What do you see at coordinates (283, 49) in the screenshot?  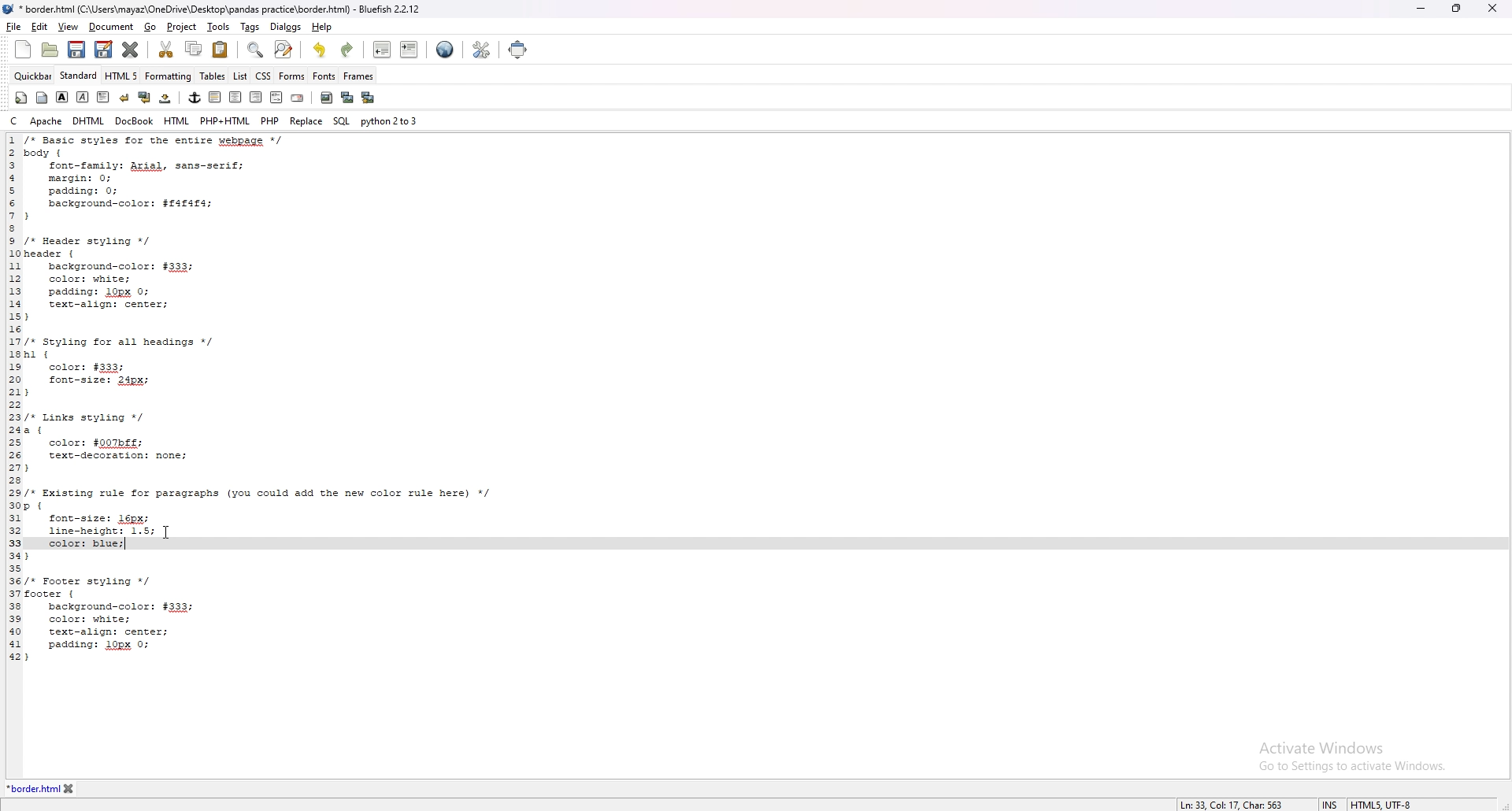 I see `advanced find and replace` at bounding box center [283, 49].